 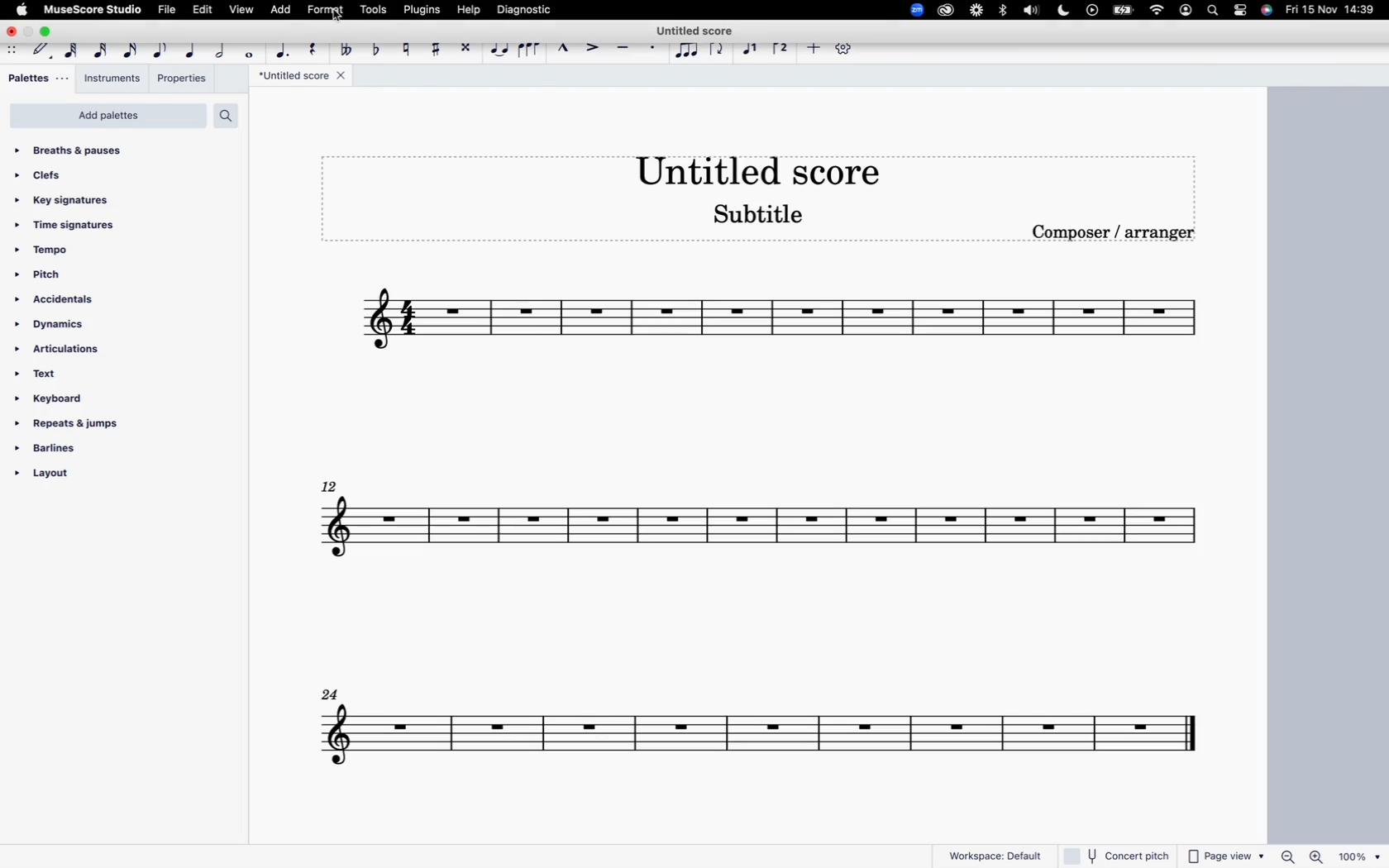 I want to click on properties, so click(x=179, y=79).